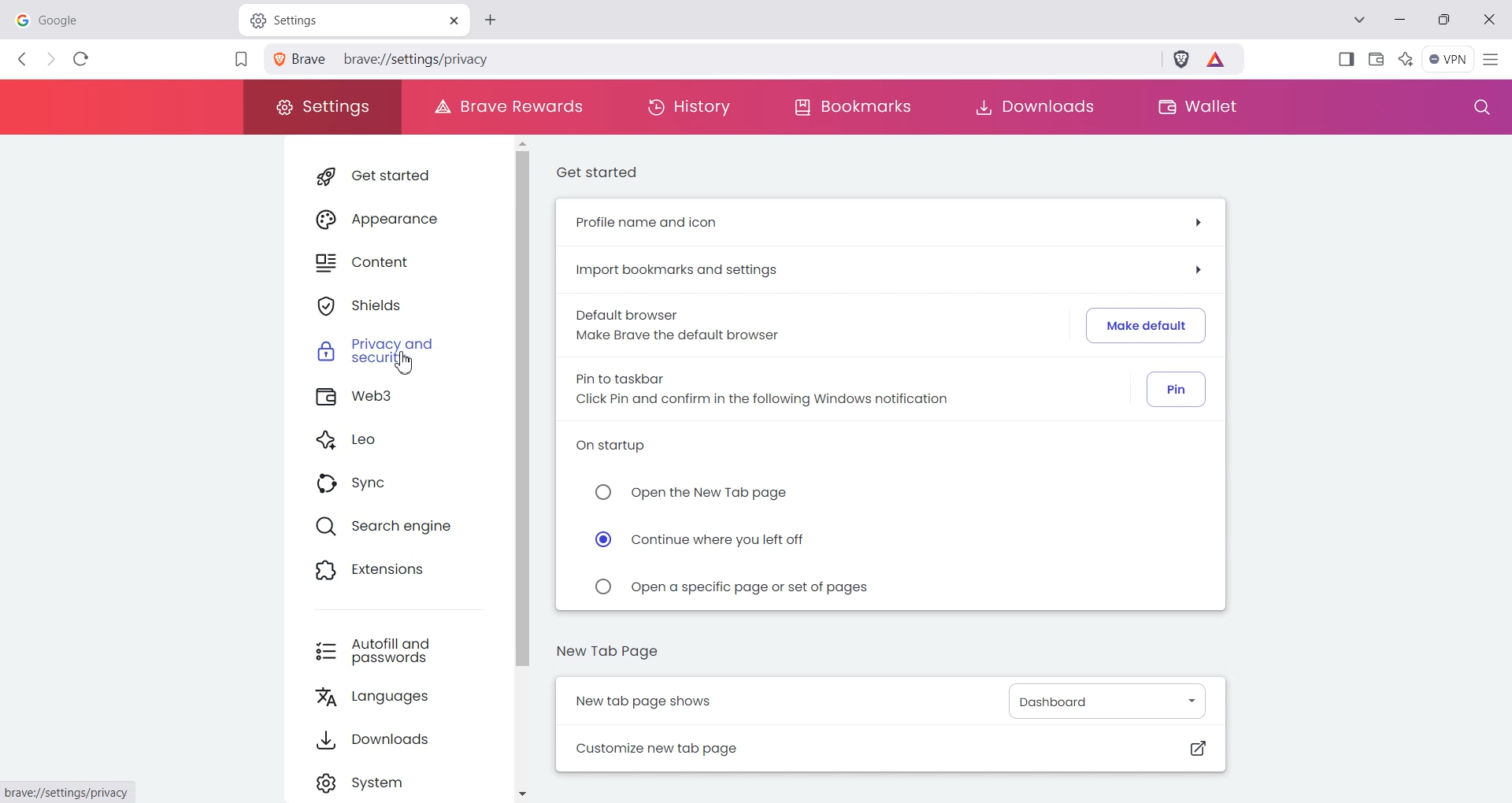  What do you see at coordinates (394, 651) in the screenshot?
I see `Autofill and passwords` at bounding box center [394, 651].